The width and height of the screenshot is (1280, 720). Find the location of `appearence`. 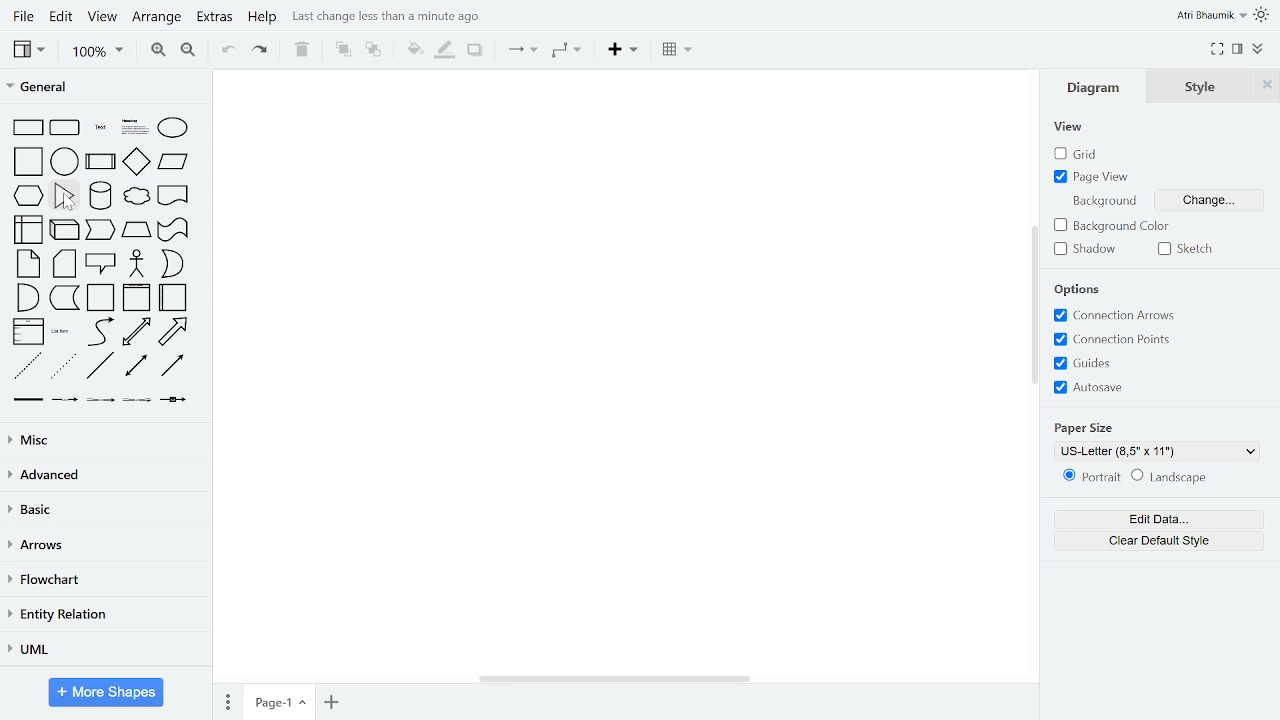

appearence is located at coordinates (1262, 15).